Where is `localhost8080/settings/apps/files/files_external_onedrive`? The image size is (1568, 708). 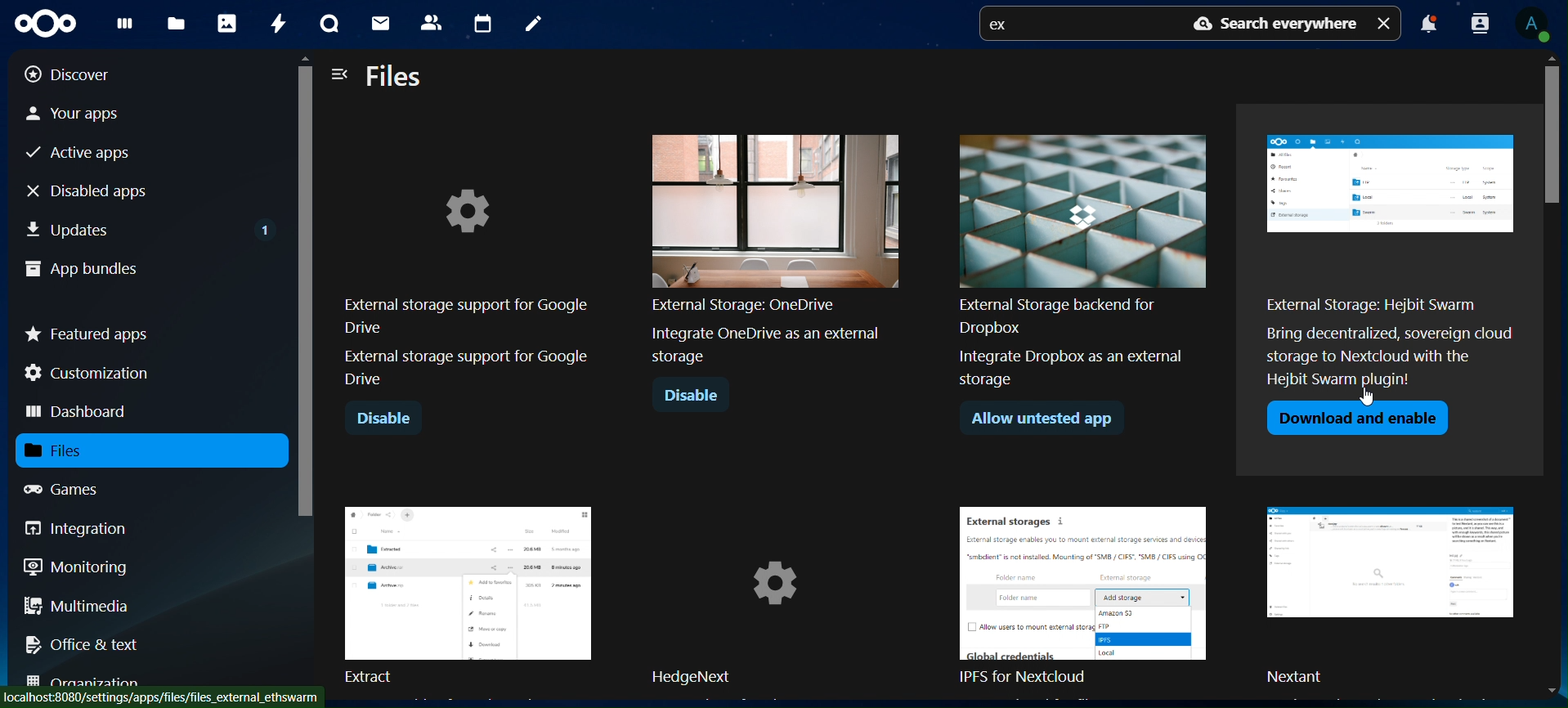
localhost8080/settings/apps/files/files_external_onedrive is located at coordinates (165, 697).